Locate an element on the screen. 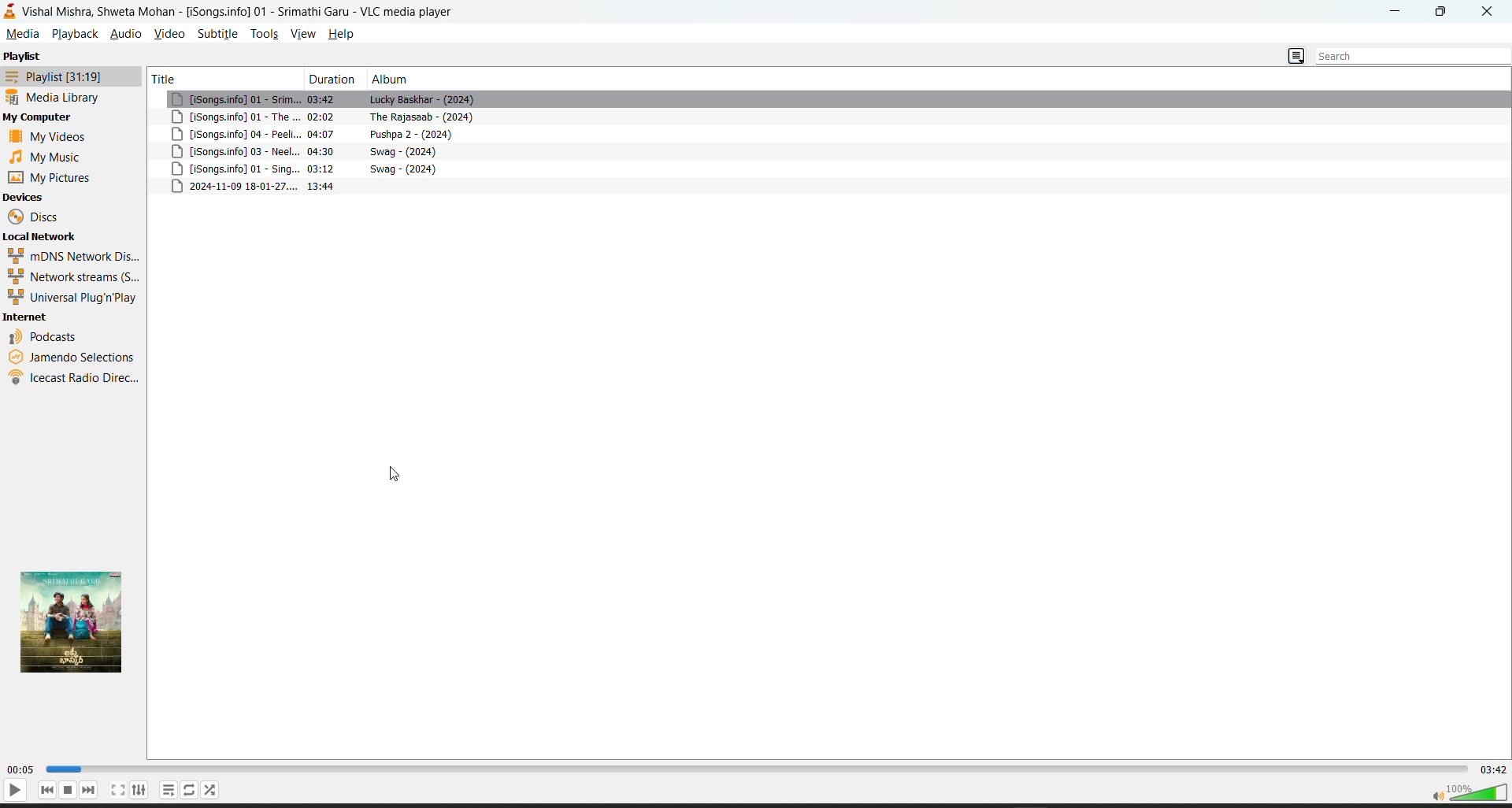 This screenshot has height=808, width=1512. vishal mishra, shweta mohan-song info 01-vlc media player is located at coordinates (243, 9).